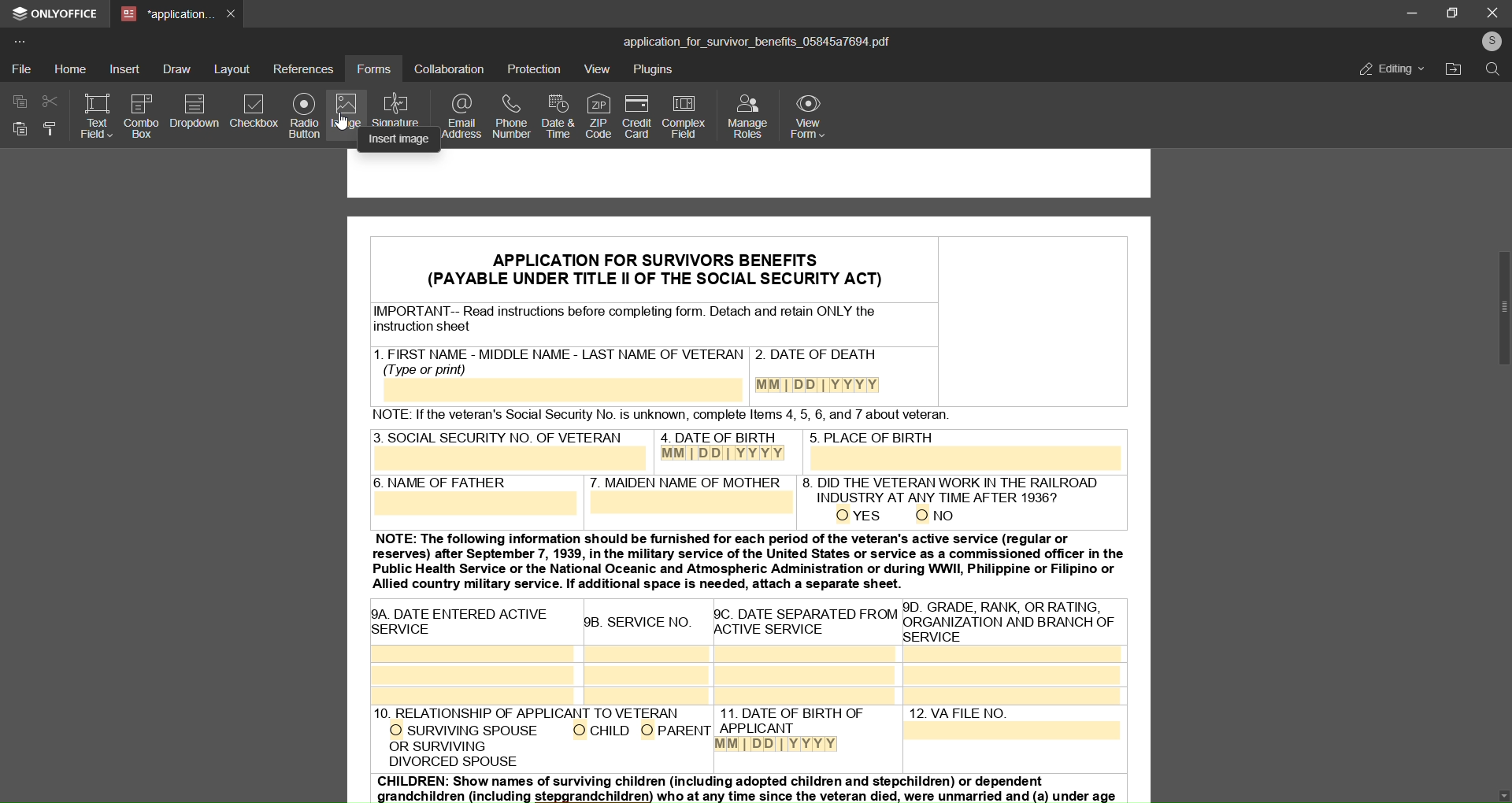  Describe the element at coordinates (461, 117) in the screenshot. I see `email address` at that location.